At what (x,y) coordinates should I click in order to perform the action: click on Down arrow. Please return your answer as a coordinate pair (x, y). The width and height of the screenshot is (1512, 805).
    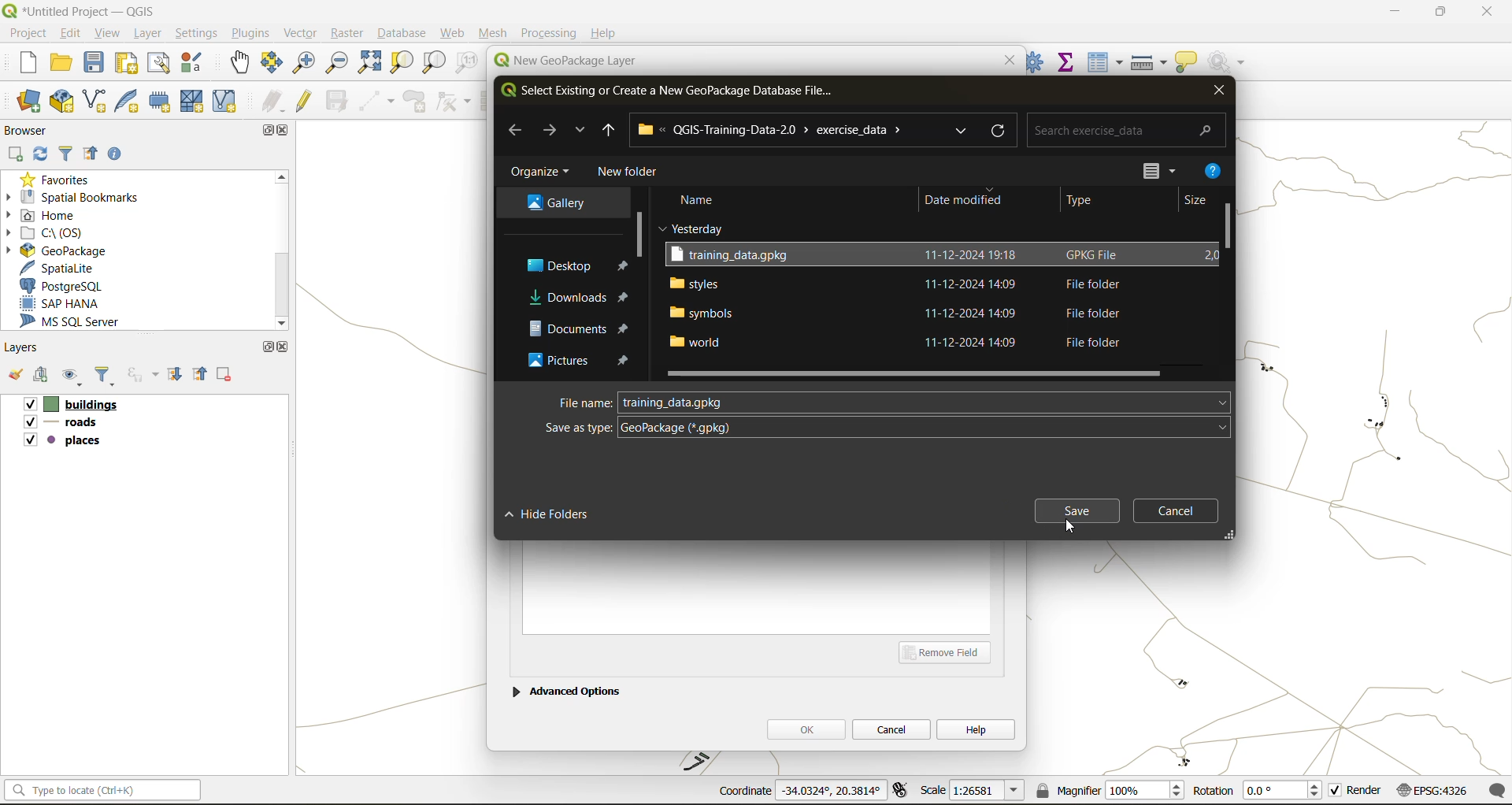
    Looking at the image, I should click on (579, 130).